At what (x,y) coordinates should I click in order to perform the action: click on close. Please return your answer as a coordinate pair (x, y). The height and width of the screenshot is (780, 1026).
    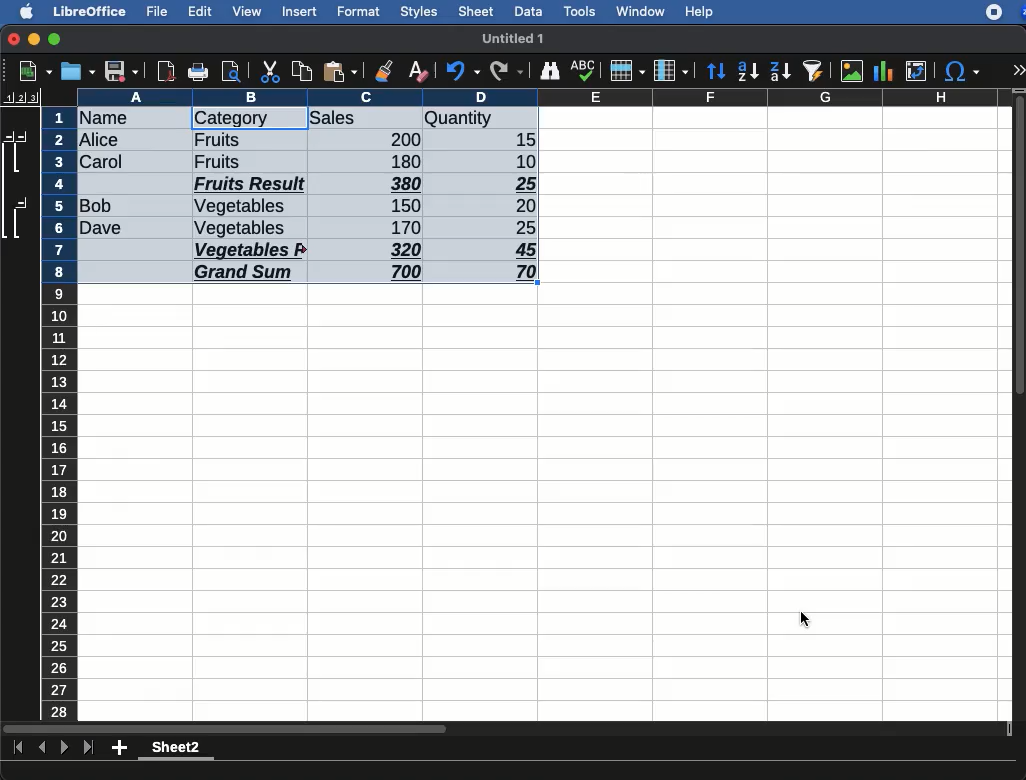
    Looking at the image, I should click on (15, 41).